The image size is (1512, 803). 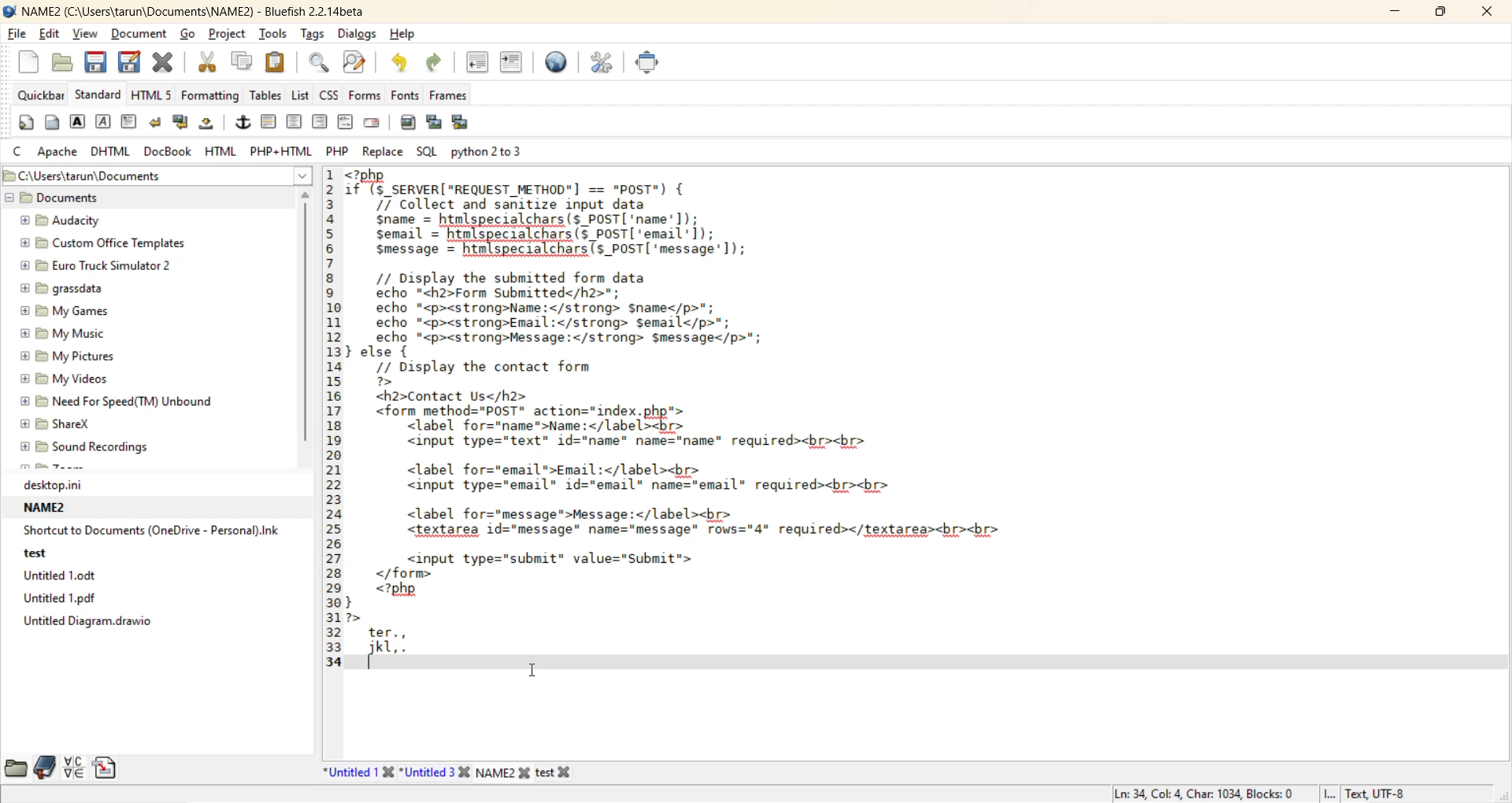 What do you see at coordinates (105, 124) in the screenshot?
I see `emphasis` at bounding box center [105, 124].